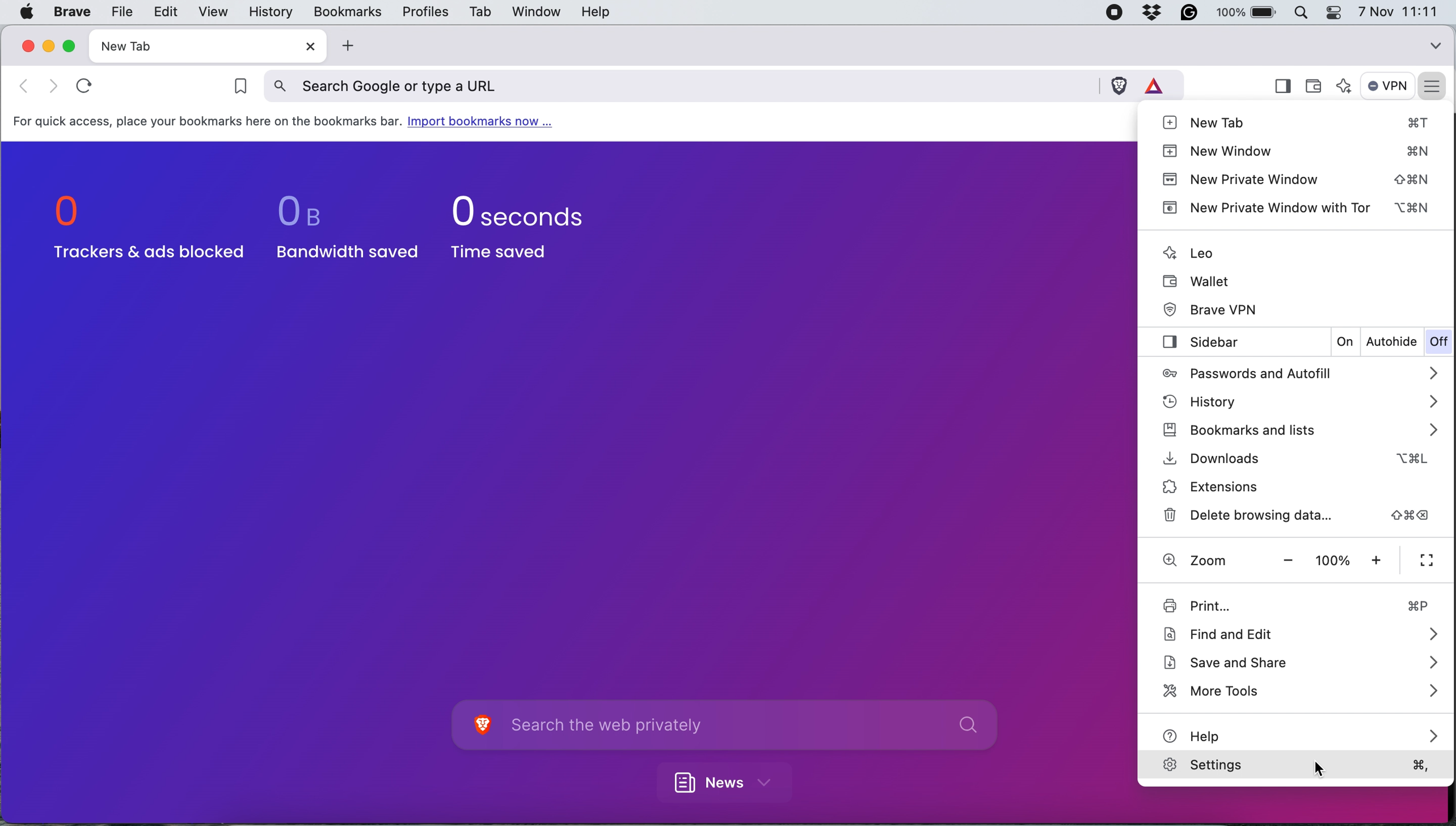 Image resolution: width=1456 pixels, height=826 pixels. Describe the element at coordinates (1200, 280) in the screenshot. I see `wallet` at that location.